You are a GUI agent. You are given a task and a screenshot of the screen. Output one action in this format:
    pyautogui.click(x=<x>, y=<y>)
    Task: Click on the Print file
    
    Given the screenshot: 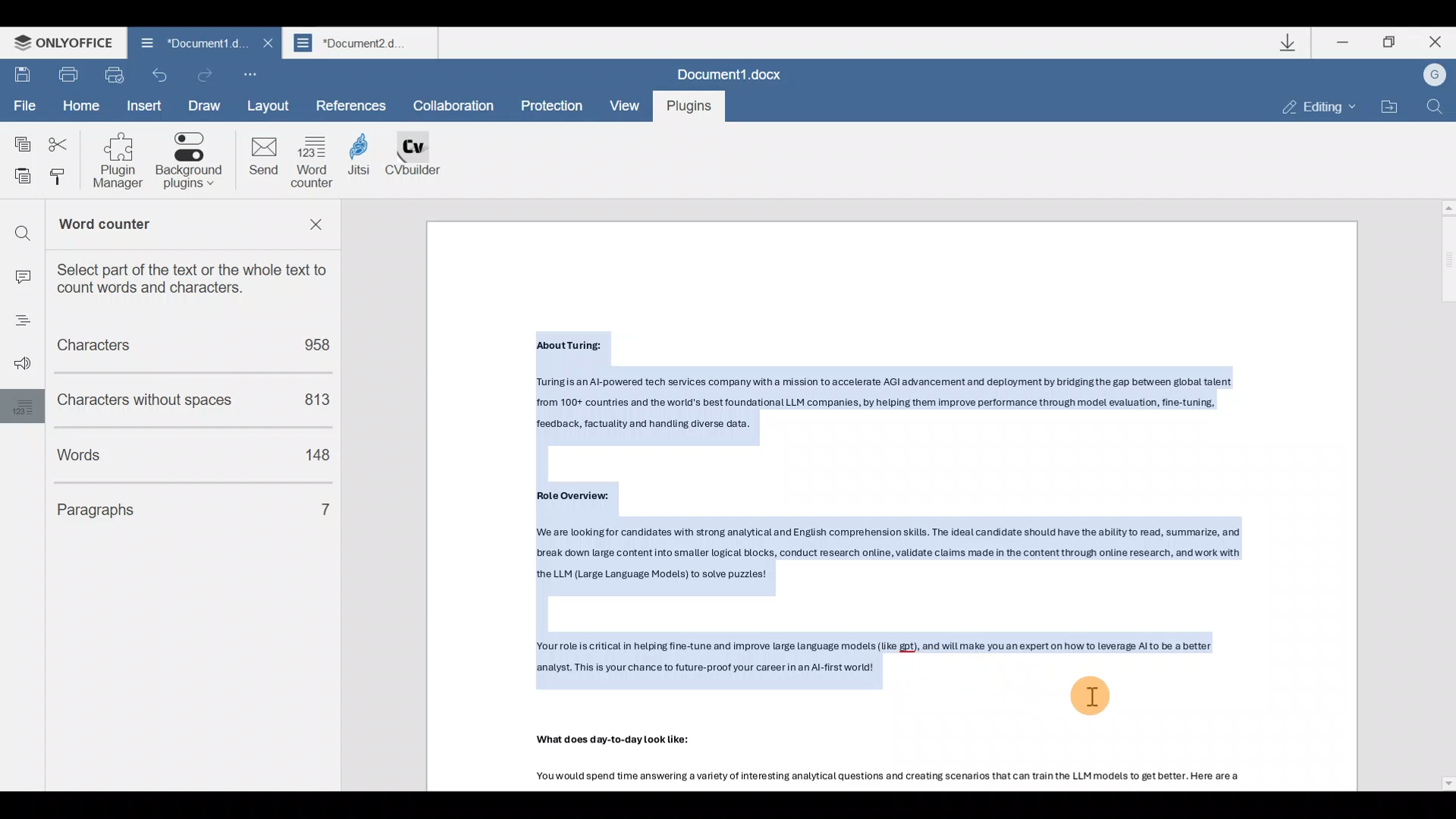 What is the action you would take?
    pyautogui.click(x=68, y=76)
    